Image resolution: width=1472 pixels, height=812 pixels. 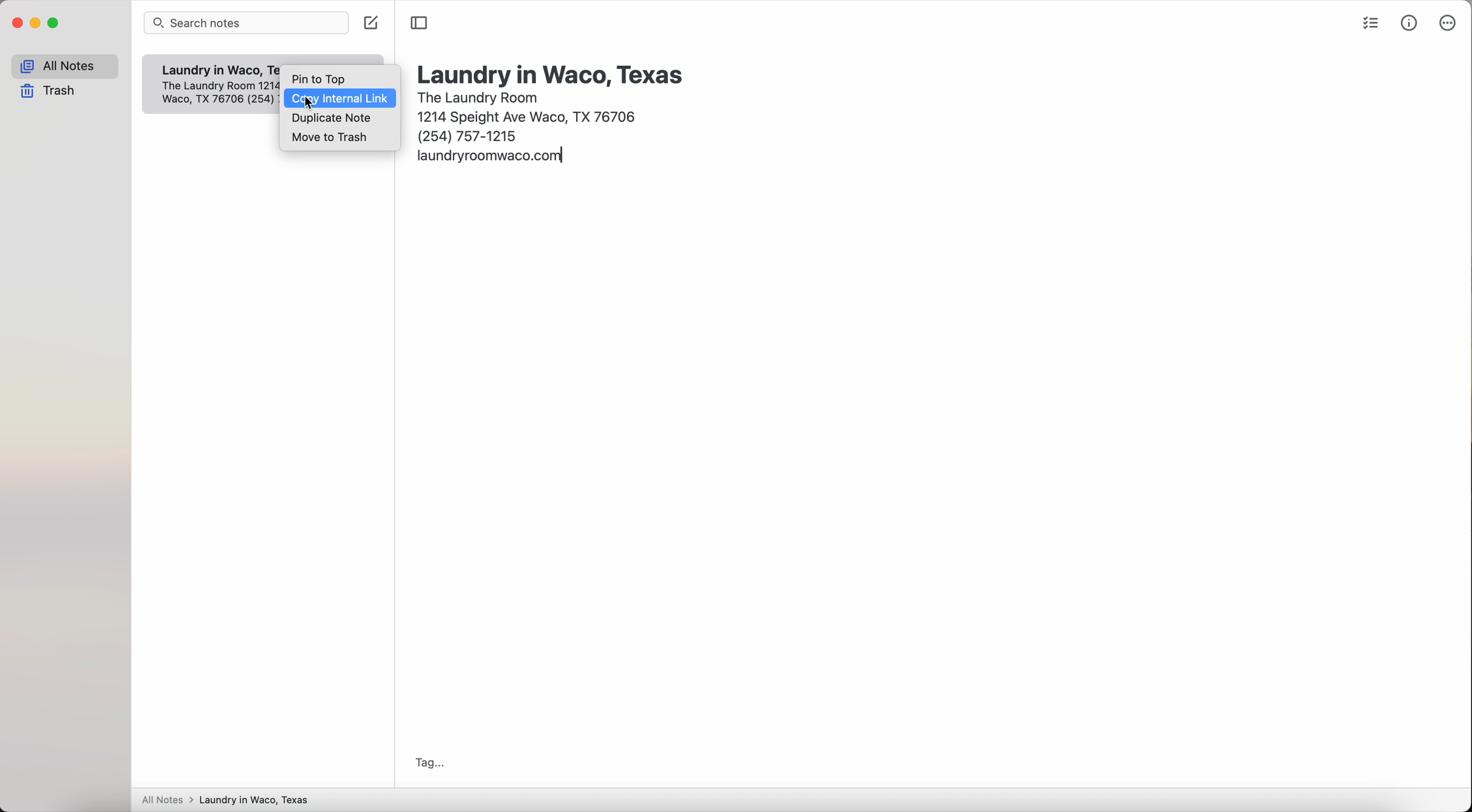 What do you see at coordinates (341, 99) in the screenshot?
I see `click on copy internal link` at bounding box center [341, 99].